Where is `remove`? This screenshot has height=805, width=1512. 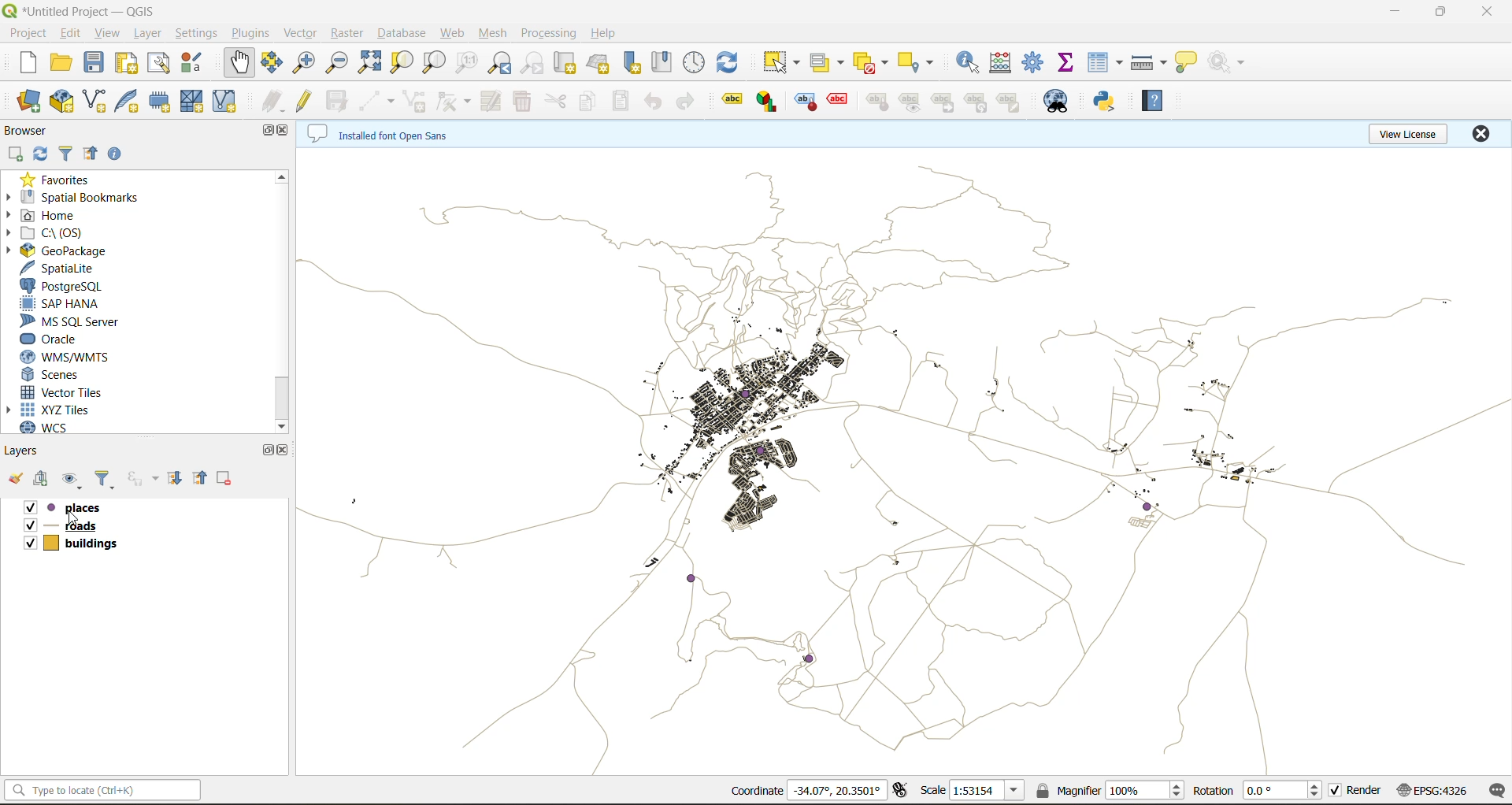
remove is located at coordinates (224, 479).